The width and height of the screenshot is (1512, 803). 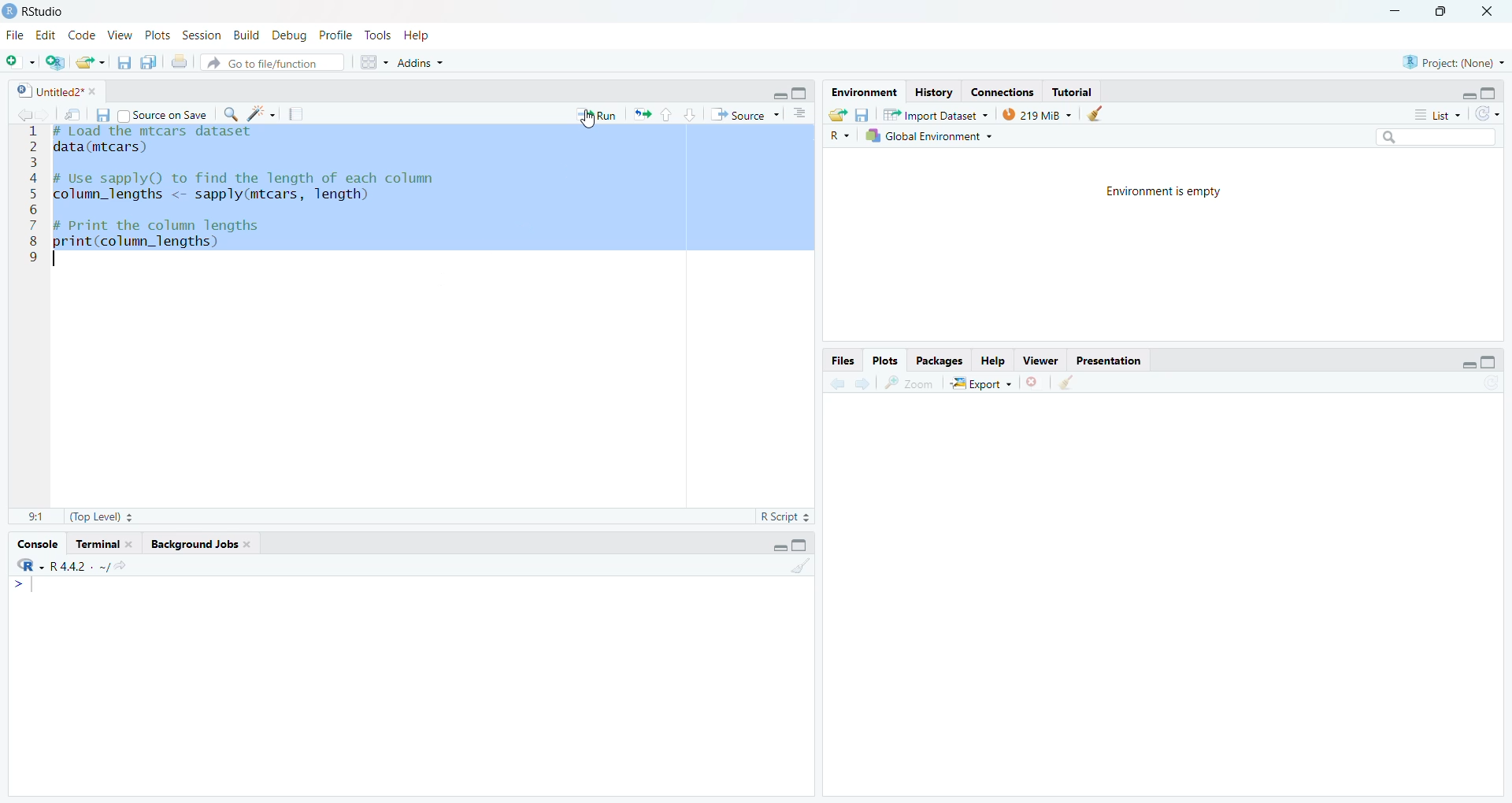 I want to click on Edit, so click(x=47, y=35).